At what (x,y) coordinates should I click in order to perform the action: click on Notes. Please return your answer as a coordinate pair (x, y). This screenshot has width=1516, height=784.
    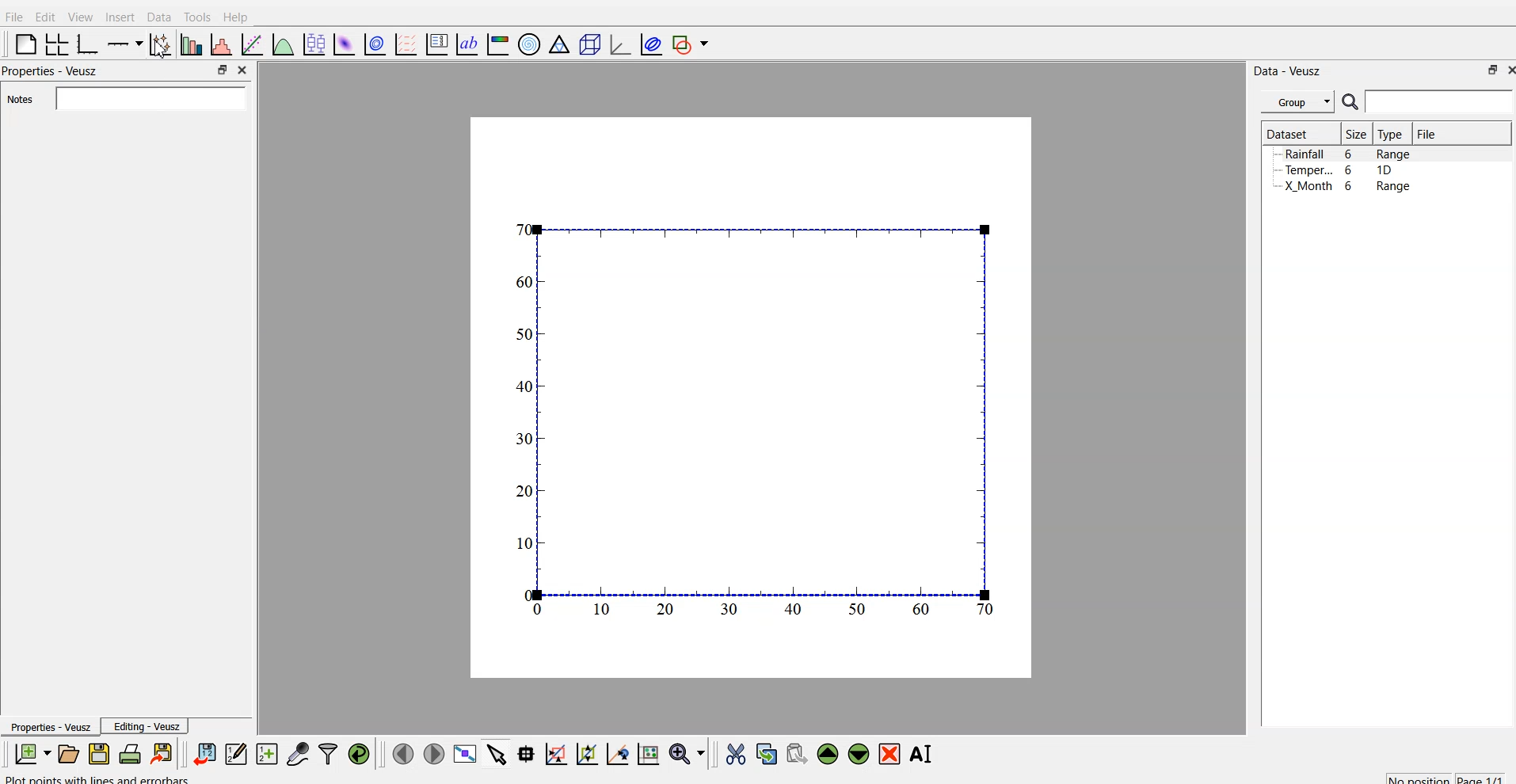
    Looking at the image, I should click on (19, 99).